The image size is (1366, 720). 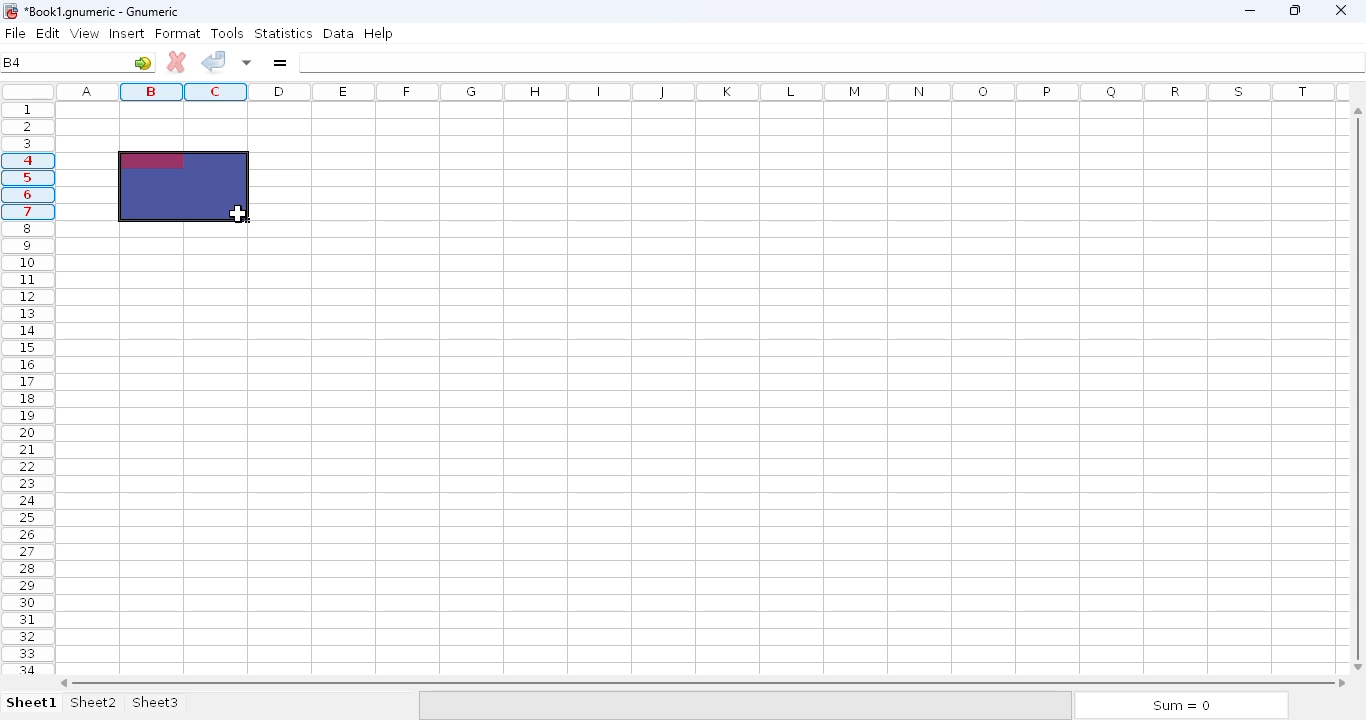 What do you see at coordinates (1179, 706) in the screenshot?
I see `sum = 0` at bounding box center [1179, 706].